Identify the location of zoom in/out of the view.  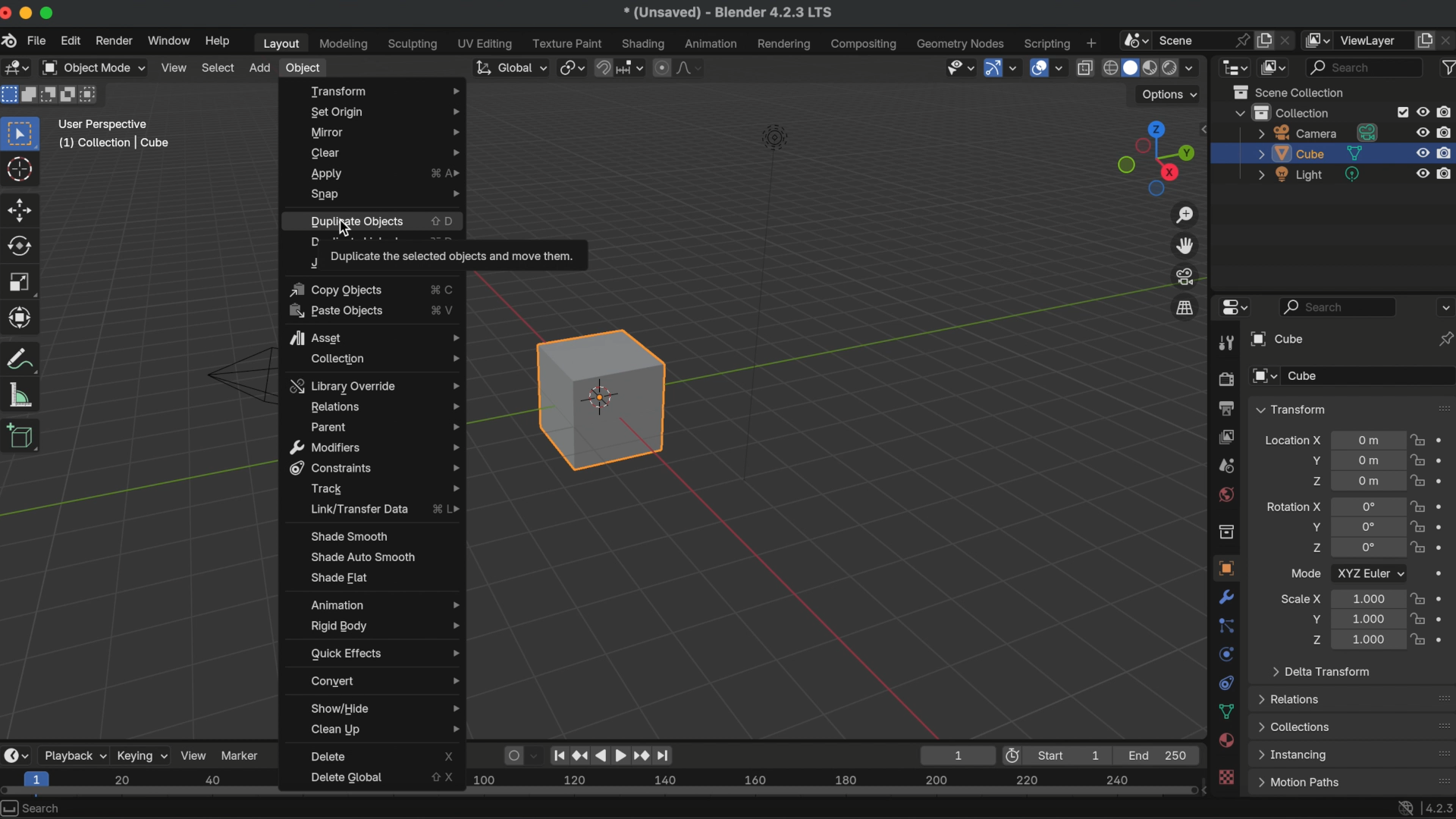
(1187, 215).